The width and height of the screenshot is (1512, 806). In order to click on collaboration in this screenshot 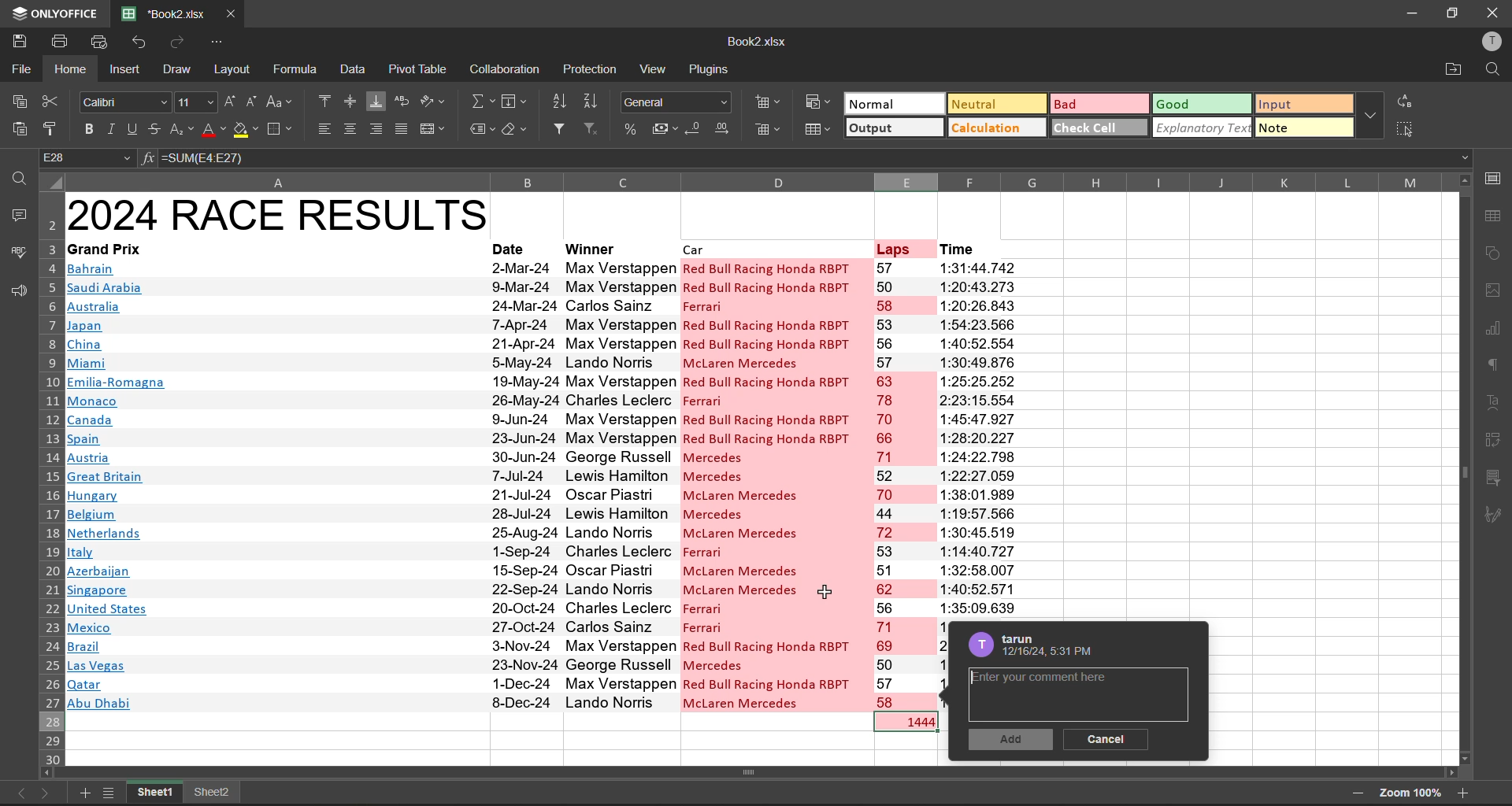, I will do `click(507, 70)`.